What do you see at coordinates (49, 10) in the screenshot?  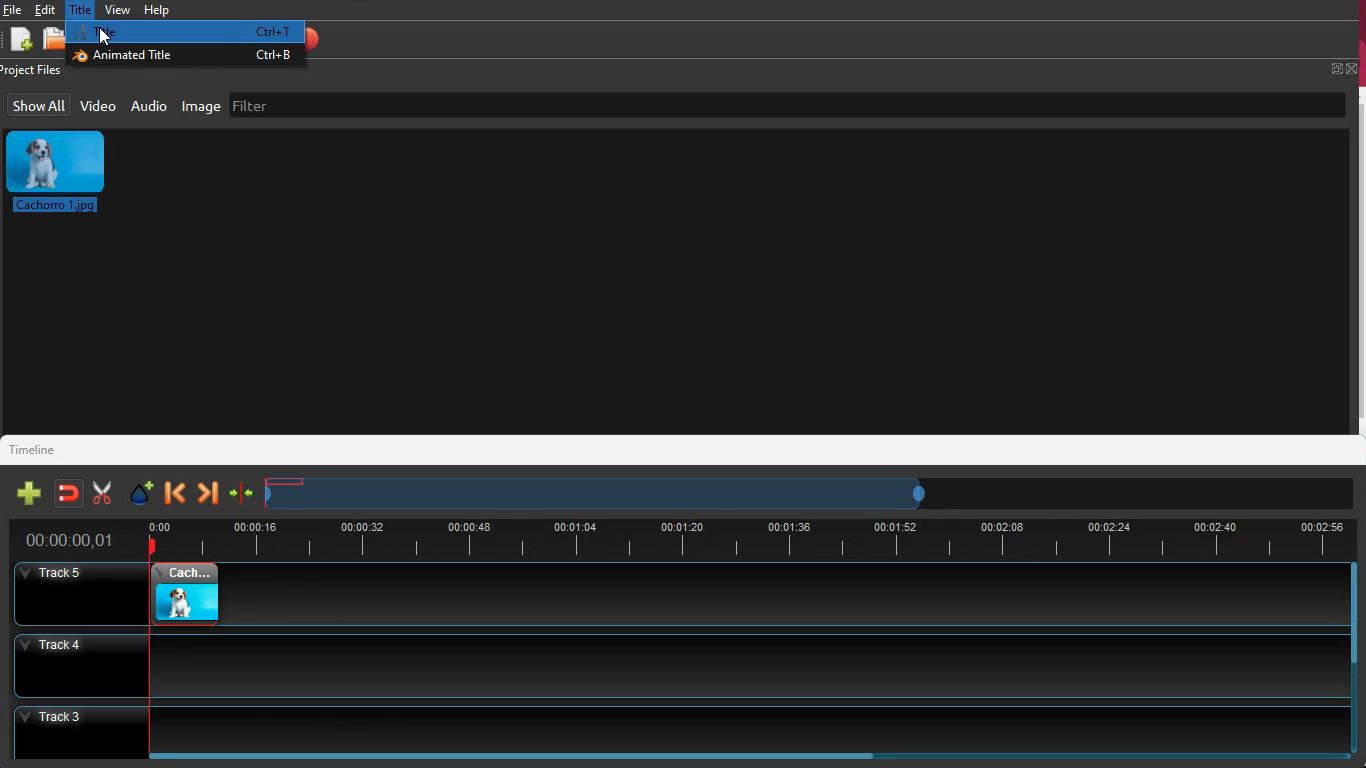 I see `edit` at bounding box center [49, 10].